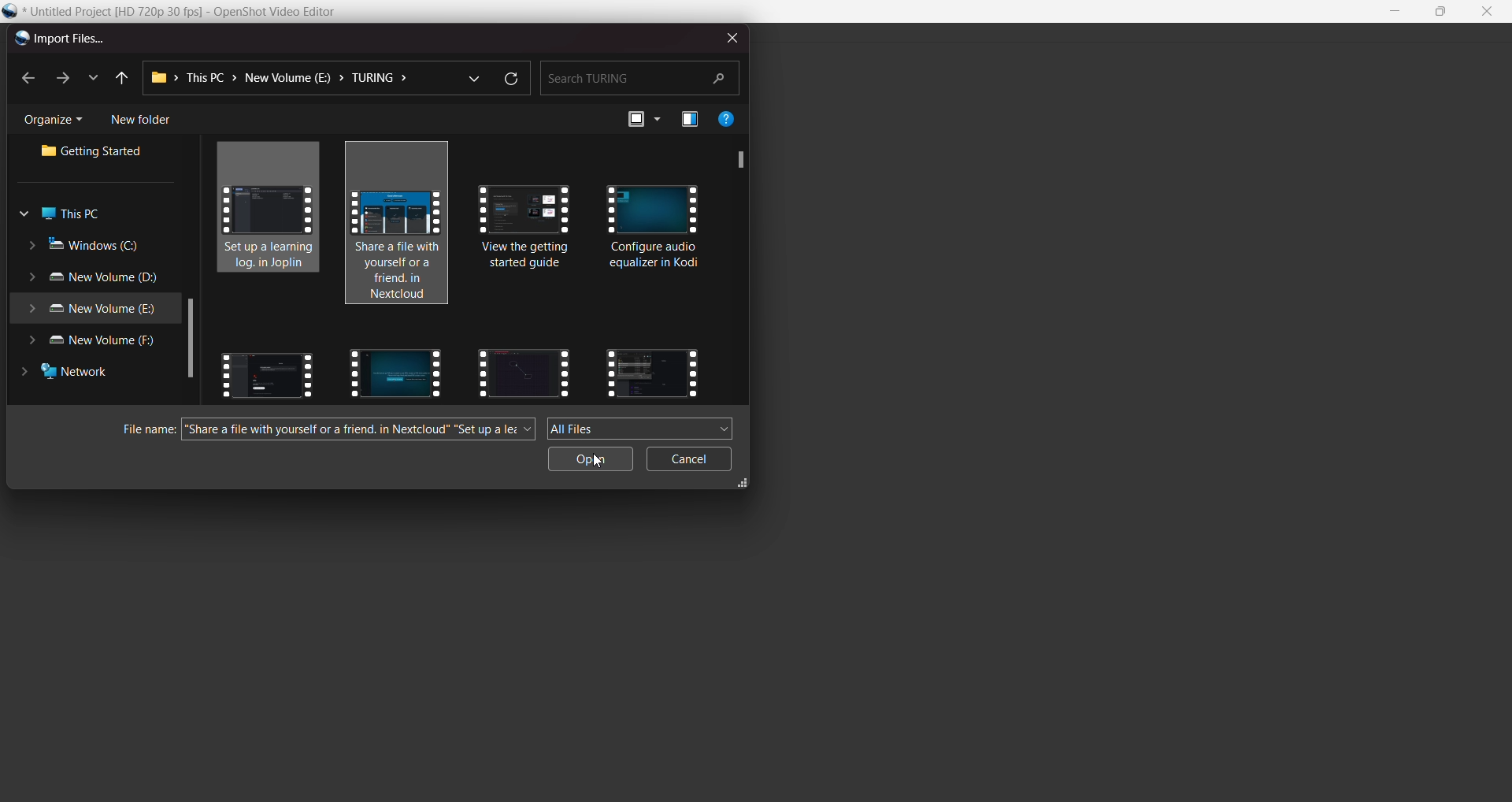 The image size is (1512, 802). Describe the element at coordinates (91, 76) in the screenshot. I see `list` at that location.